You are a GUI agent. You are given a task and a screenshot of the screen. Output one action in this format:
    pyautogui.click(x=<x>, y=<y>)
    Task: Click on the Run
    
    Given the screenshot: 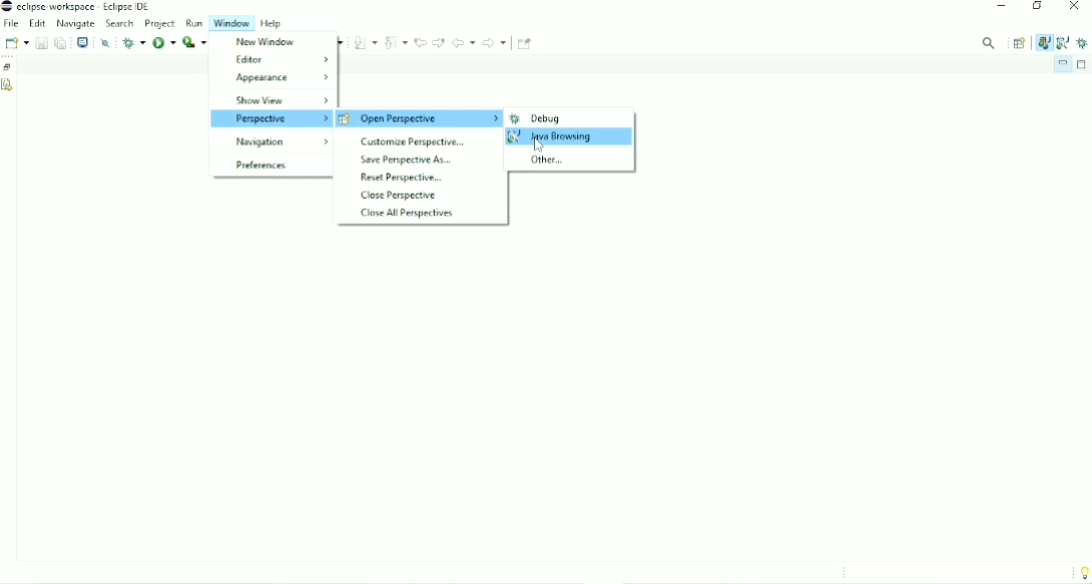 What is the action you would take?
    pyautogui.click(x=195, y=23)
    